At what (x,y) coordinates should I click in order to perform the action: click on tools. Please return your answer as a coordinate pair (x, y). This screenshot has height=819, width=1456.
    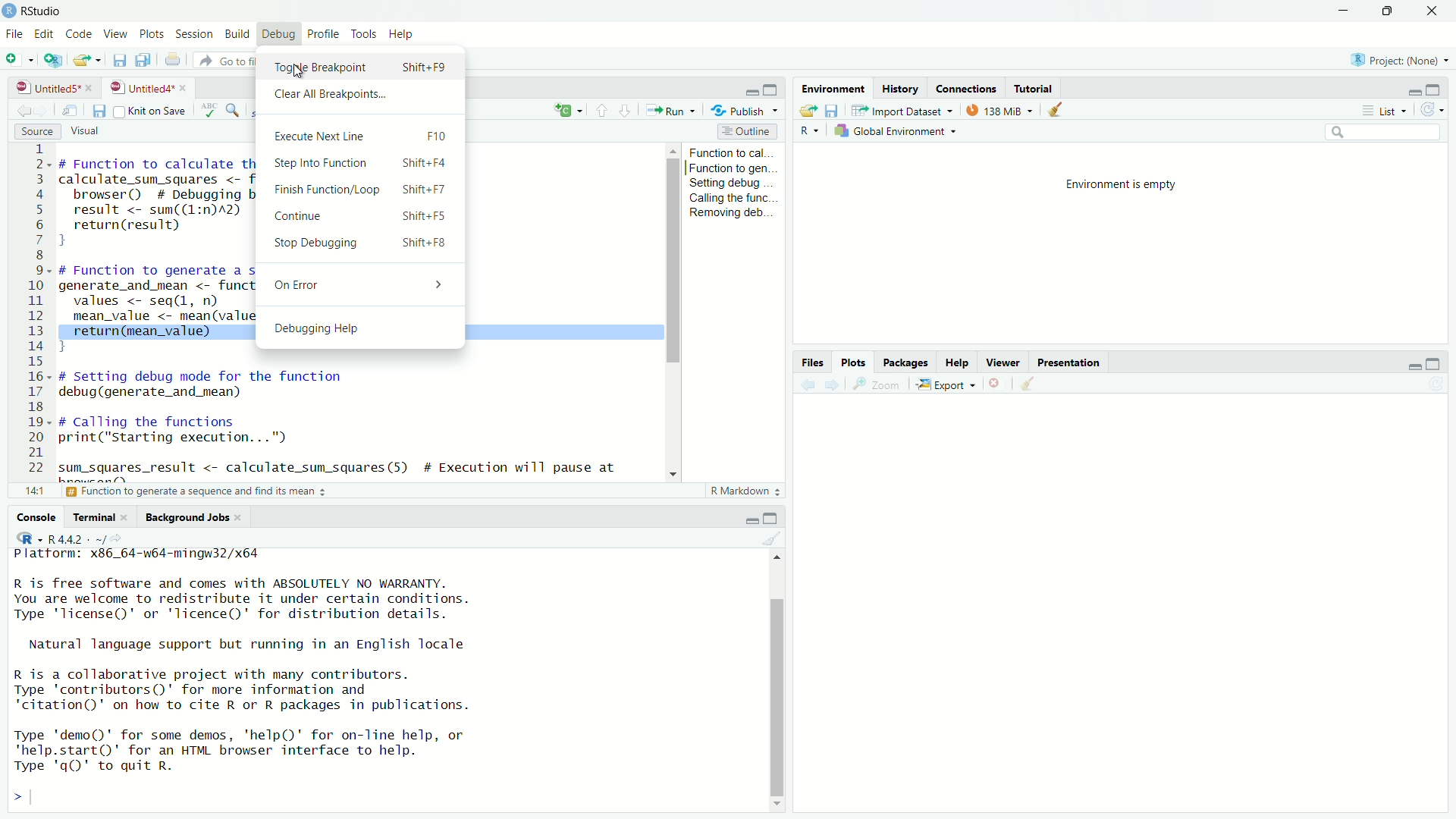
    Looking at the image, I should click on (363, 33).